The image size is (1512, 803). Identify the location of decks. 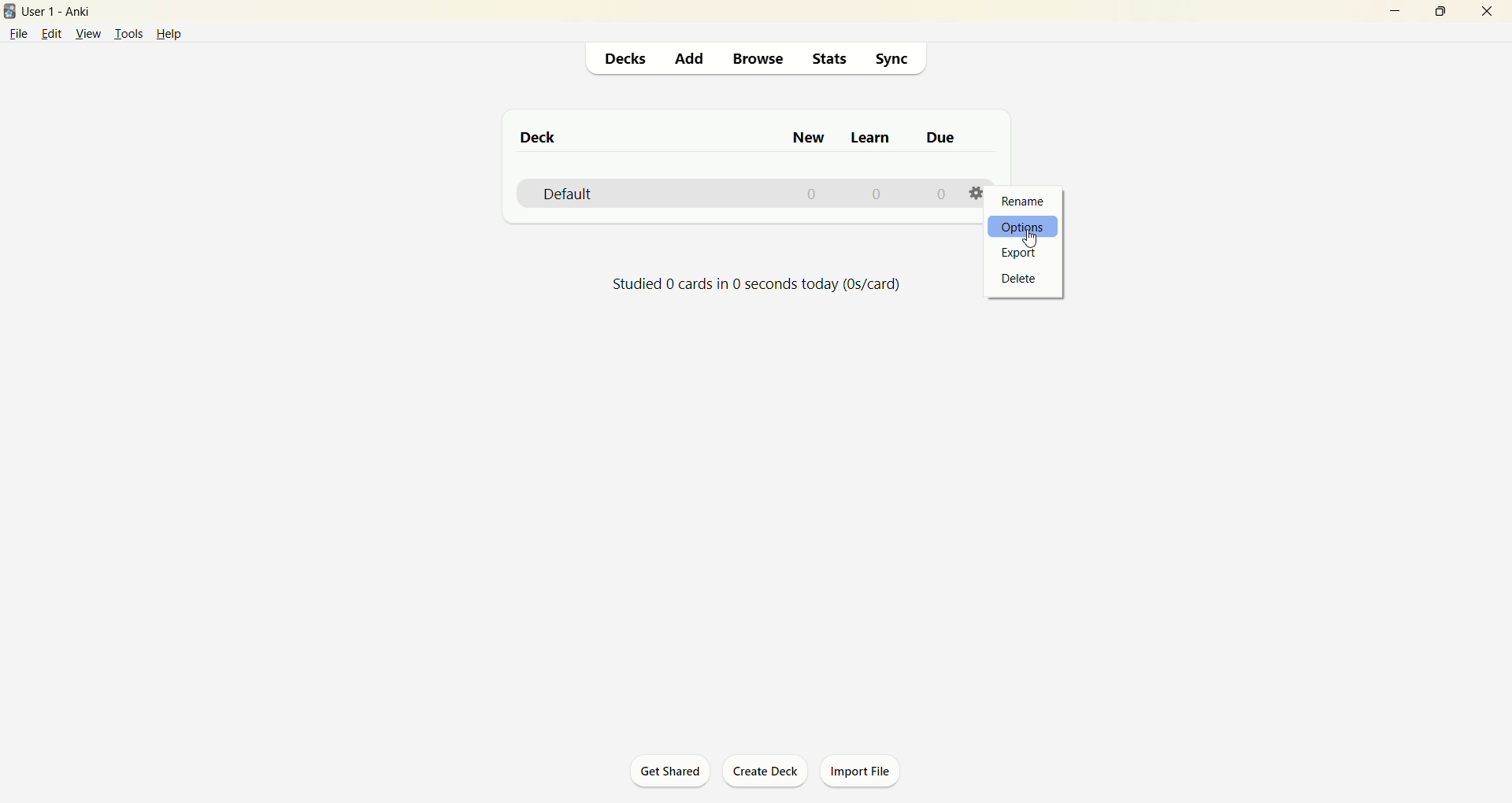
(621, 61).